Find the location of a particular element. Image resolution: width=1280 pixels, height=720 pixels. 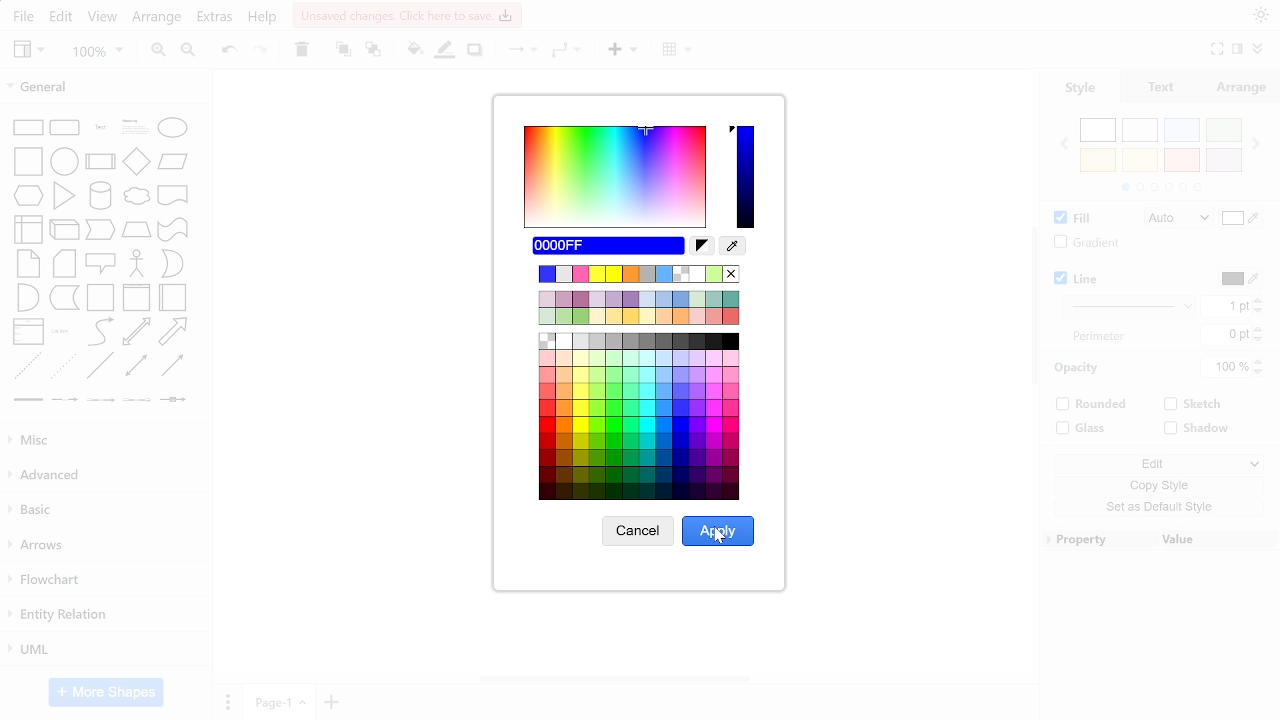

text is located at coordinates (1163, 87).